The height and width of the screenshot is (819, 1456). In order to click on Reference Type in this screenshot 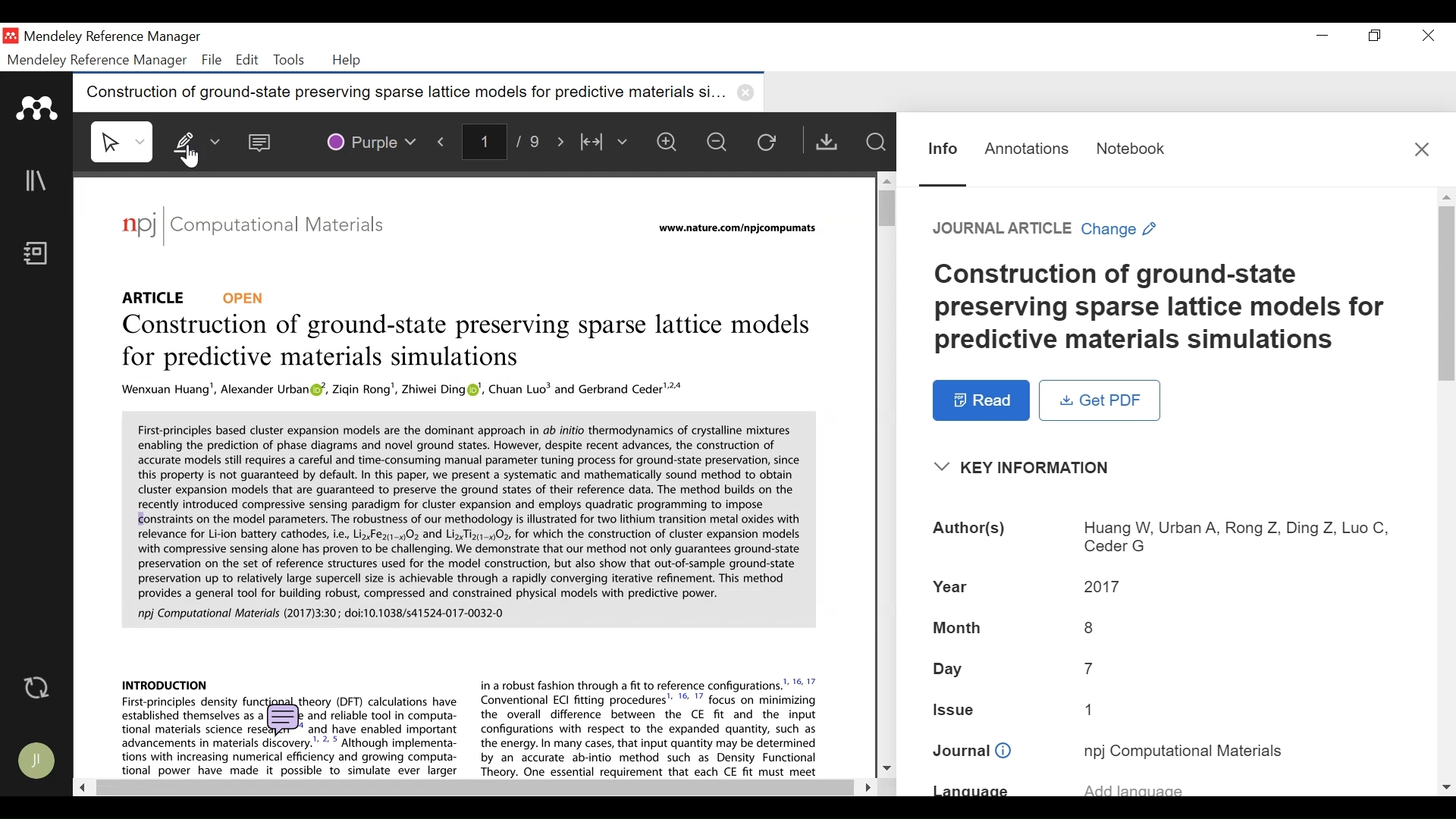, I will do `click(195, 297)`.